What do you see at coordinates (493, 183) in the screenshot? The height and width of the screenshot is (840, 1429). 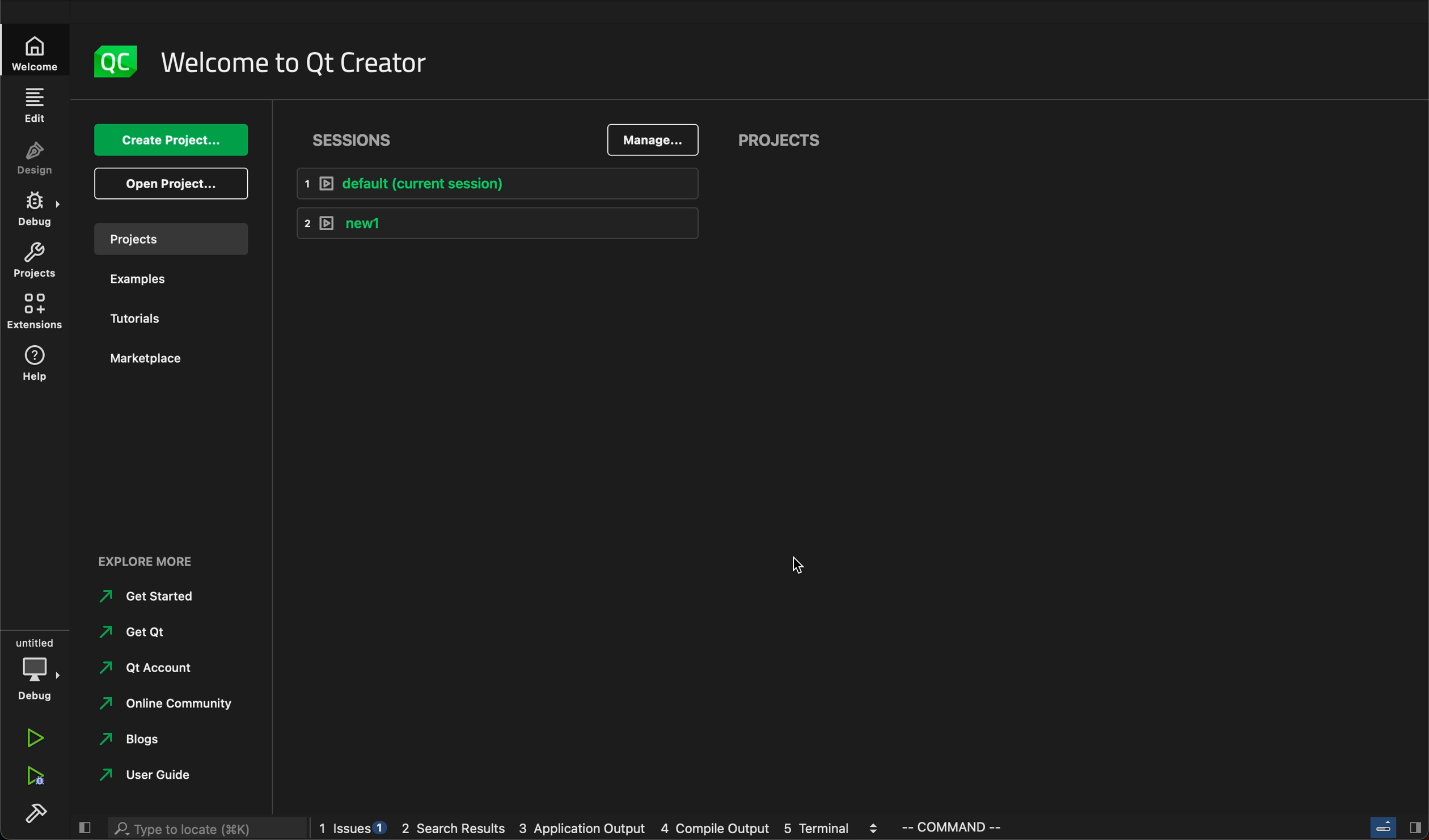 I see `default` at bounding box center [493, 183].